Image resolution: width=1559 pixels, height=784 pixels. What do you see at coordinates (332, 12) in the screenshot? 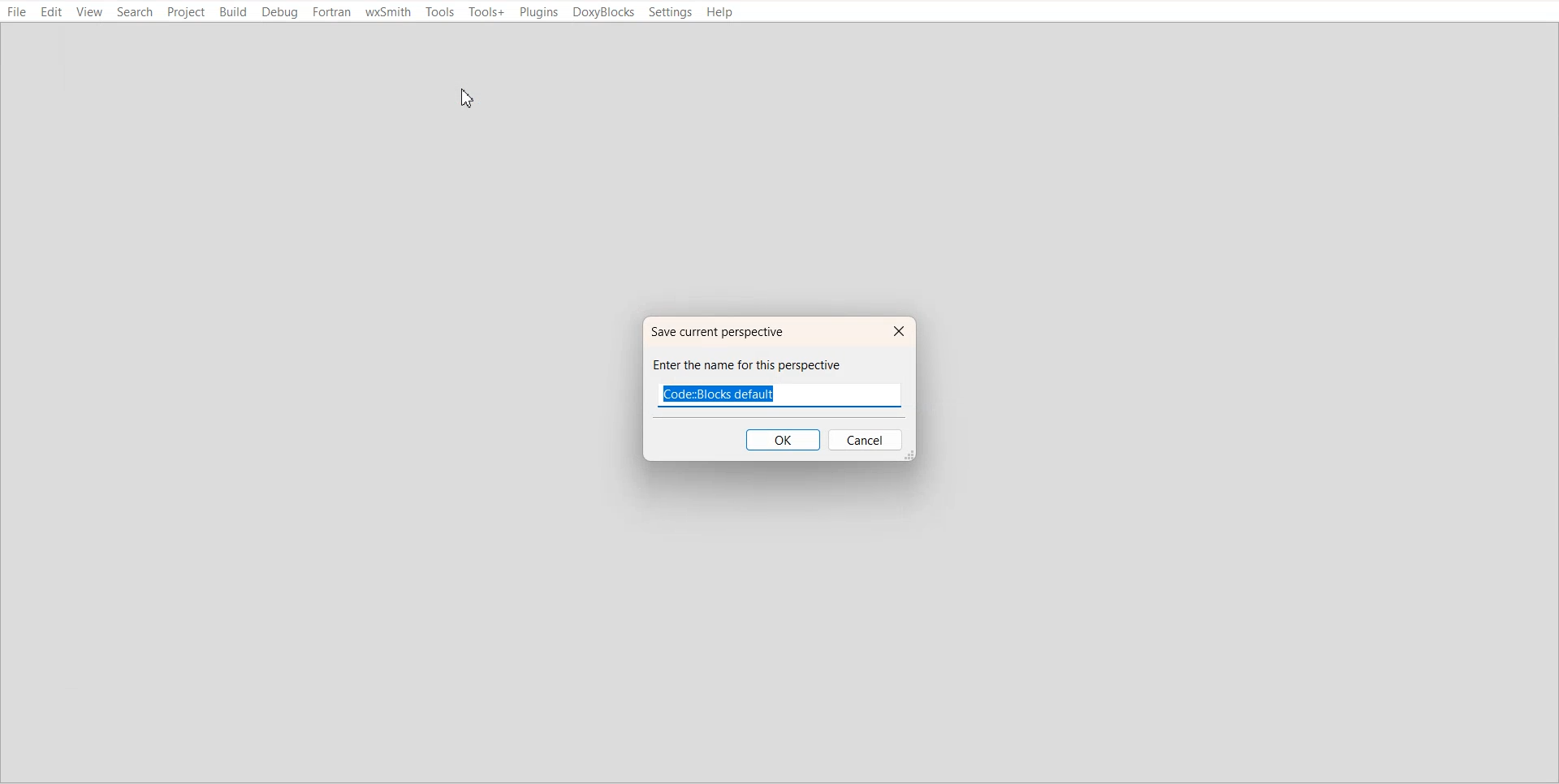
I see `Fortran` at bounding box center [332, 12].